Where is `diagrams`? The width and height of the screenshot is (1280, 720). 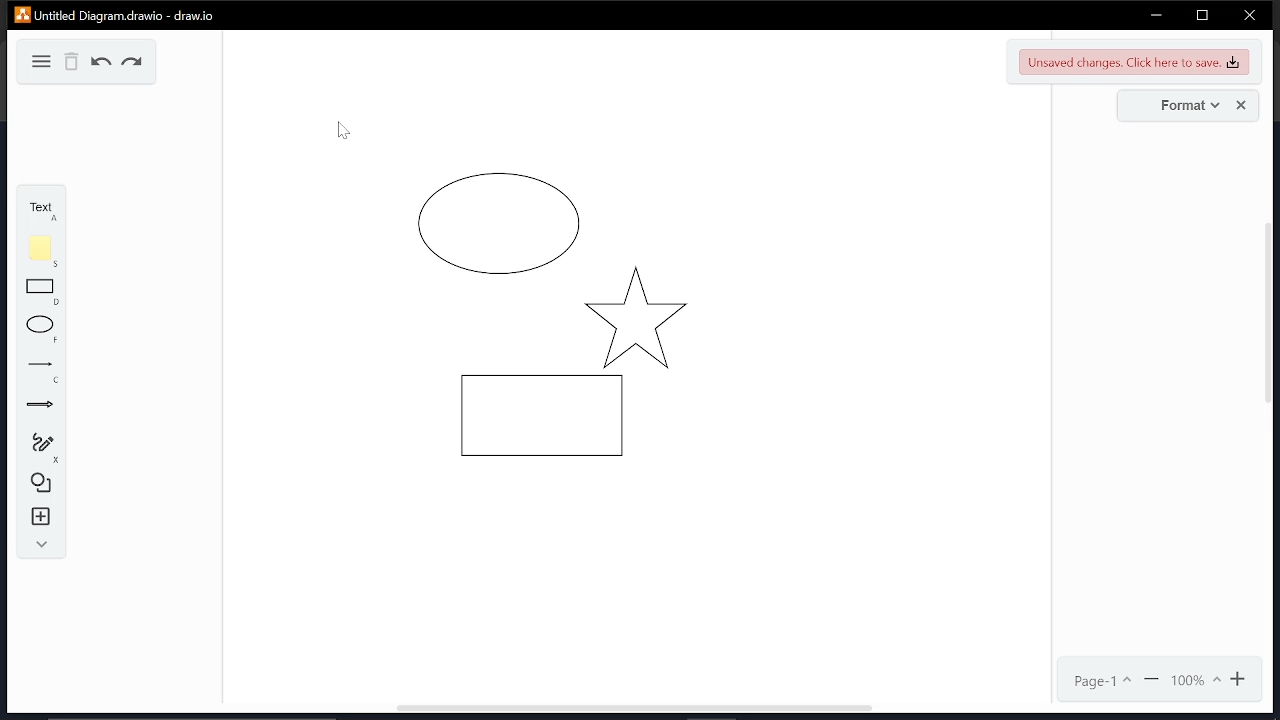
diagrams is located at coordinates (544, 349).